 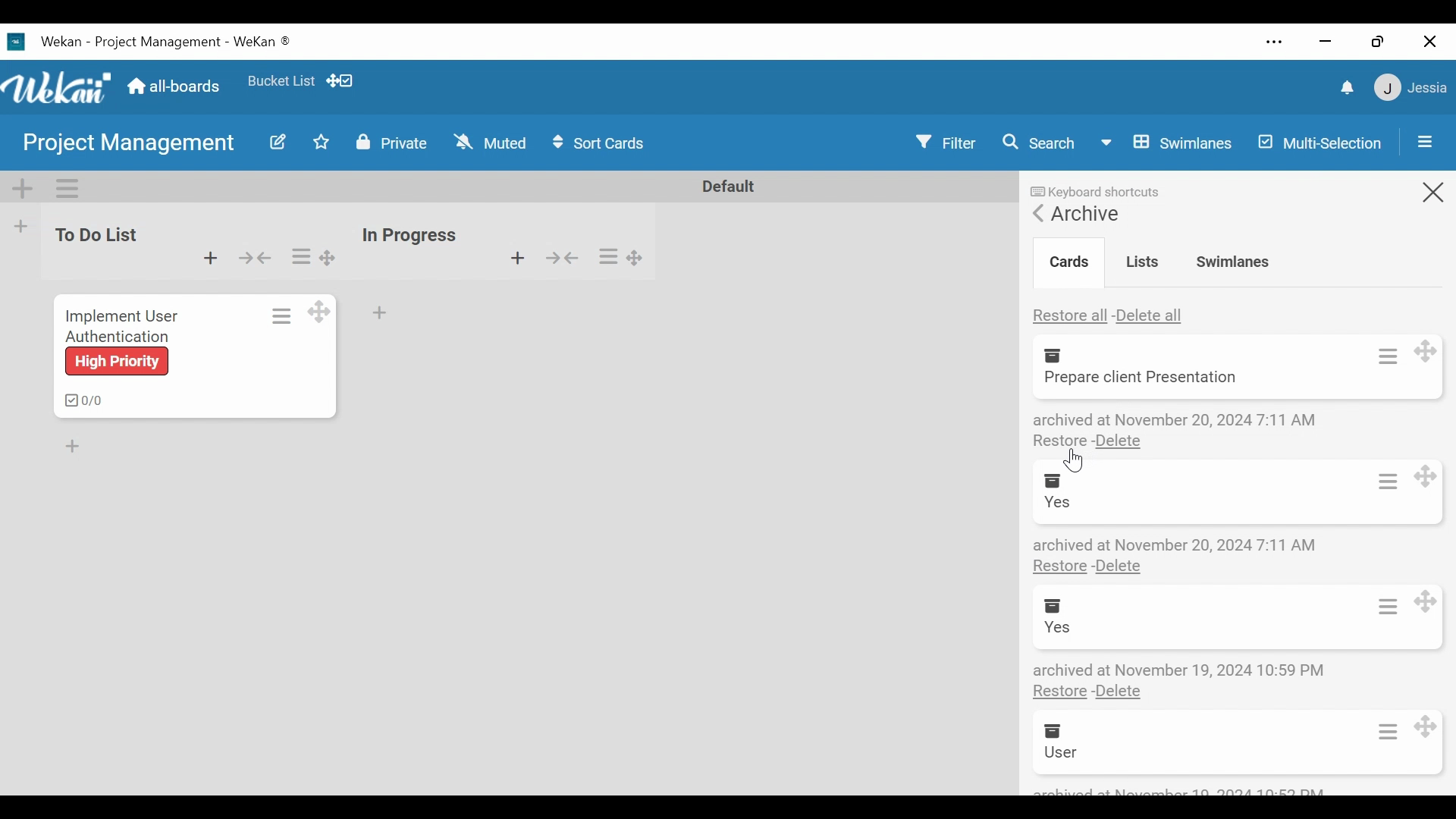 What do you see at coordinates (390, 141) in the screenshot?
I see `Private` at bounding box center [390, 141].